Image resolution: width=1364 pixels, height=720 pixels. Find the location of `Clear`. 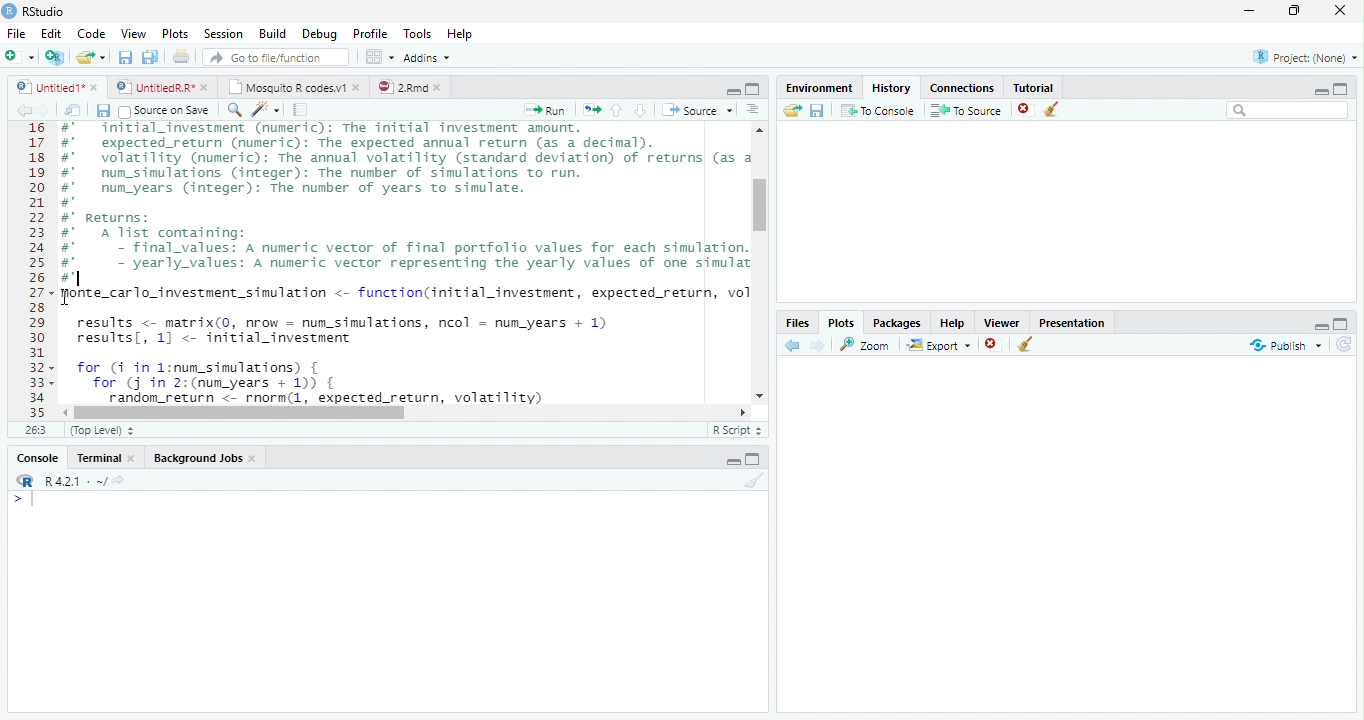

Clear is located at coordinates (751, 481).